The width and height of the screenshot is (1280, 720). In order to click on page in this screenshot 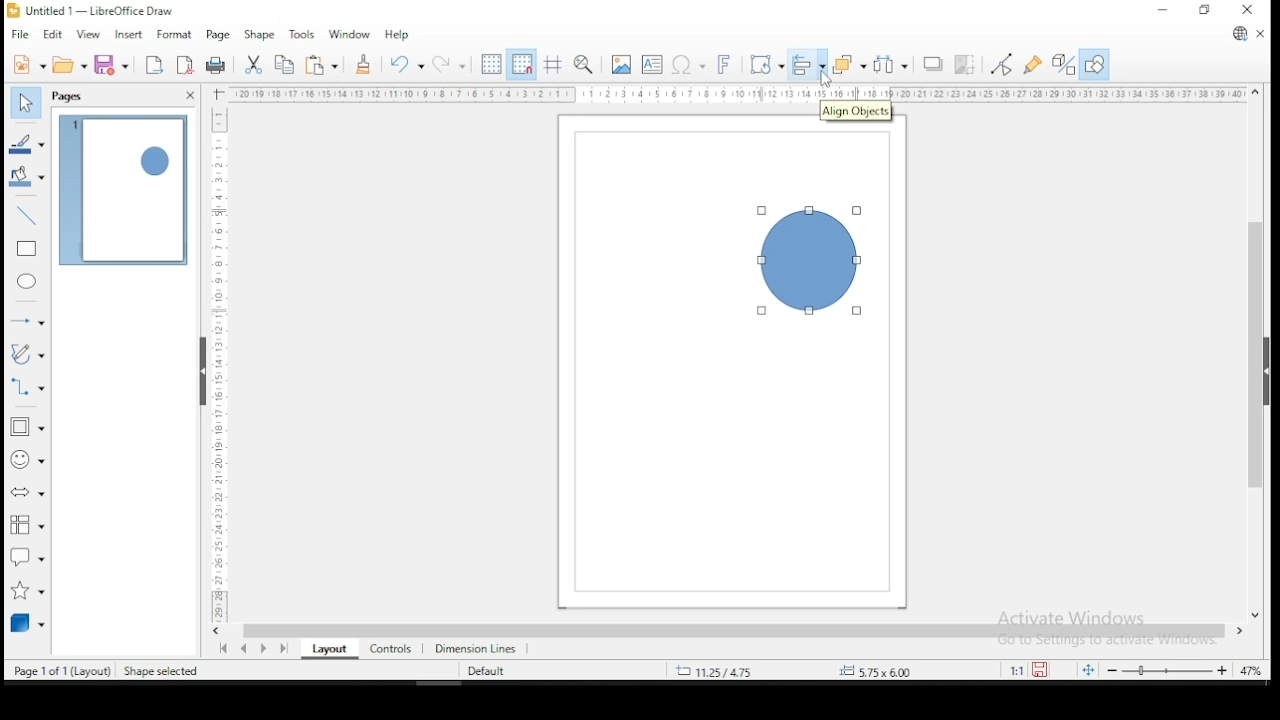, I will do `click(217, 36)`.